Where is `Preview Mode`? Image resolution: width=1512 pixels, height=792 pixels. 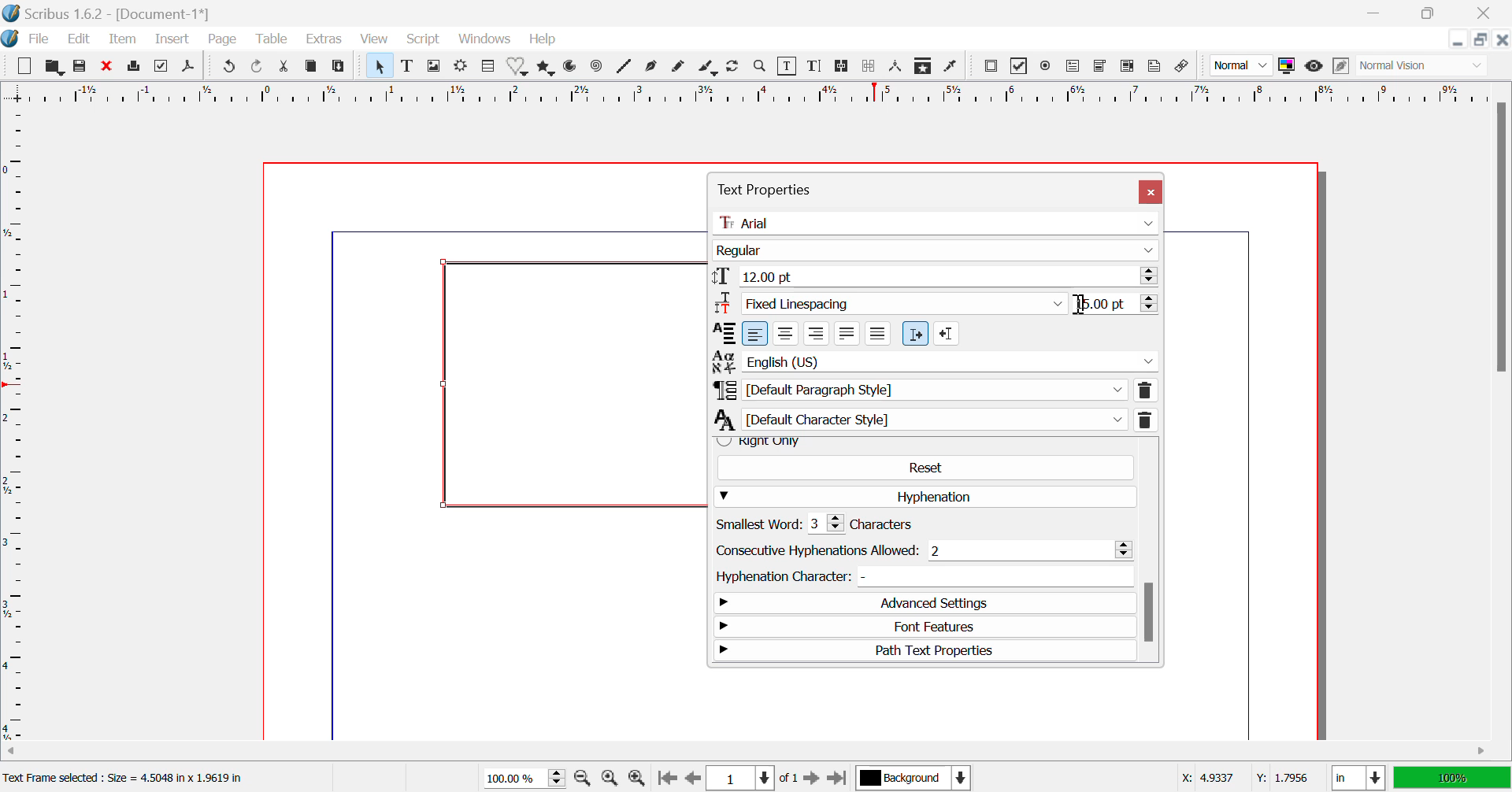
Preview Mode is located at coordinates (1314, 68).